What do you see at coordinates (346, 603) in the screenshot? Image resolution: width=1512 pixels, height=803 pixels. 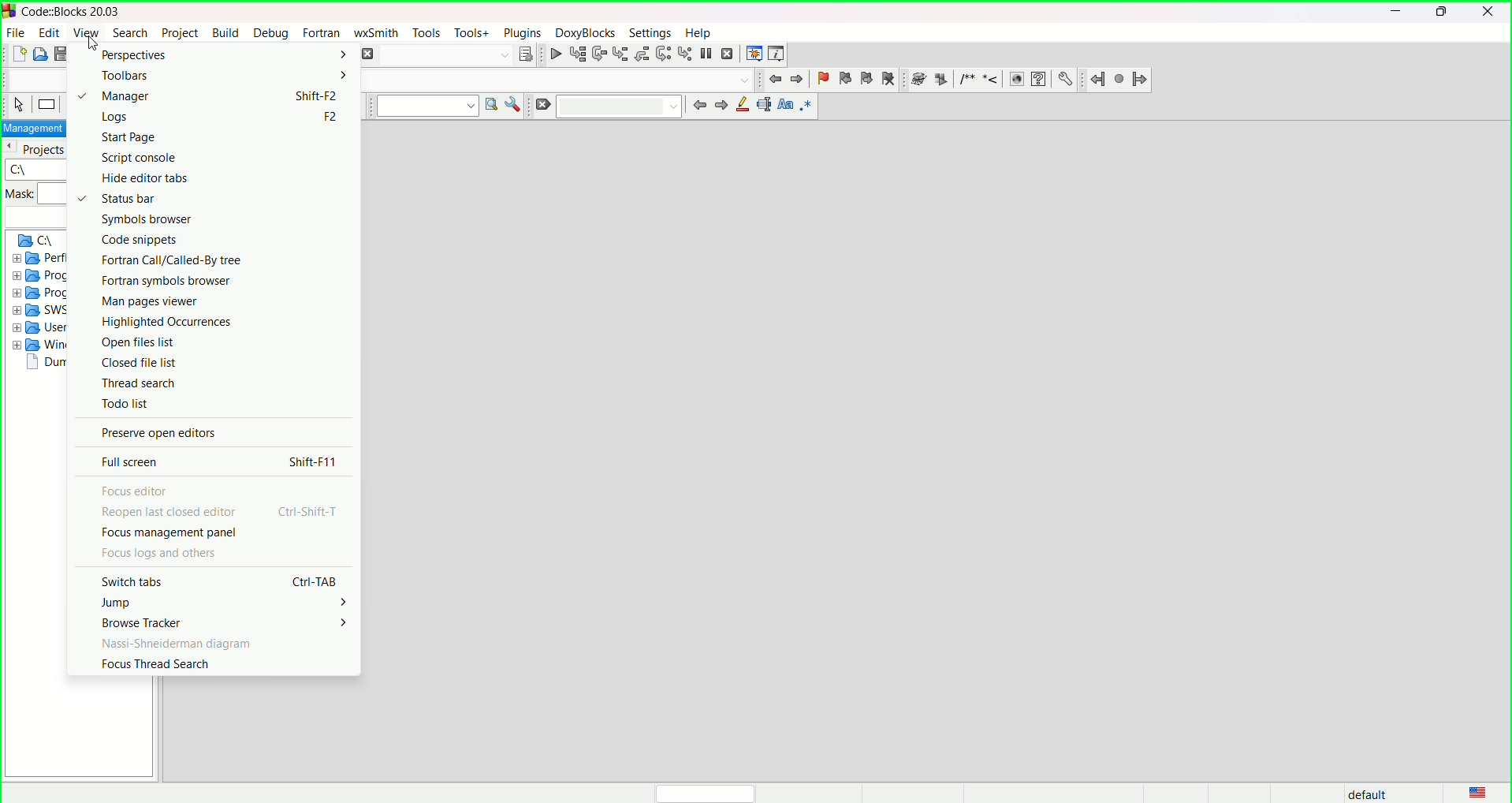 I see `arrow` at bounding box center [346, 603].